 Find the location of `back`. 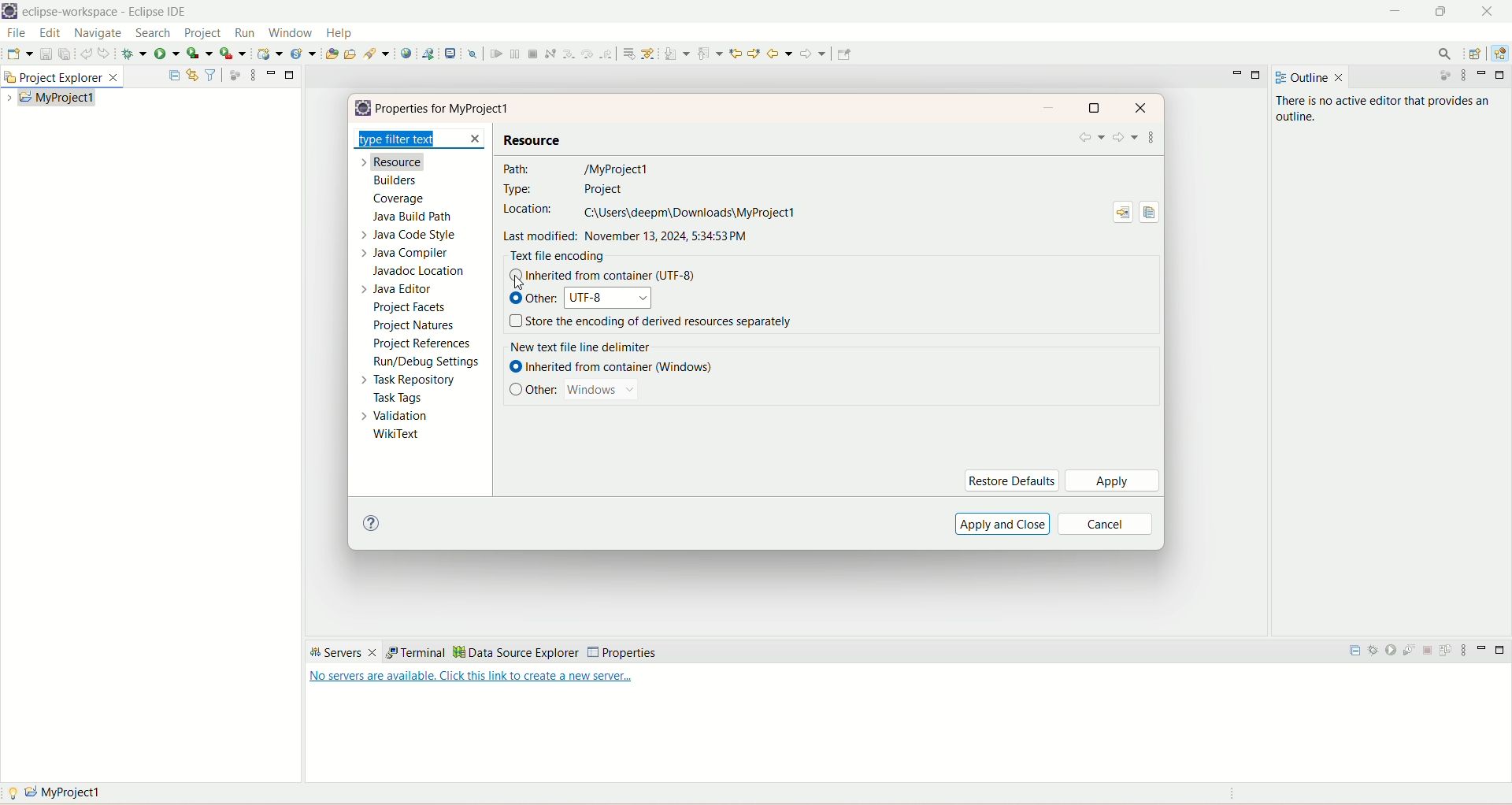

back is located at coordinates (1093, 139).